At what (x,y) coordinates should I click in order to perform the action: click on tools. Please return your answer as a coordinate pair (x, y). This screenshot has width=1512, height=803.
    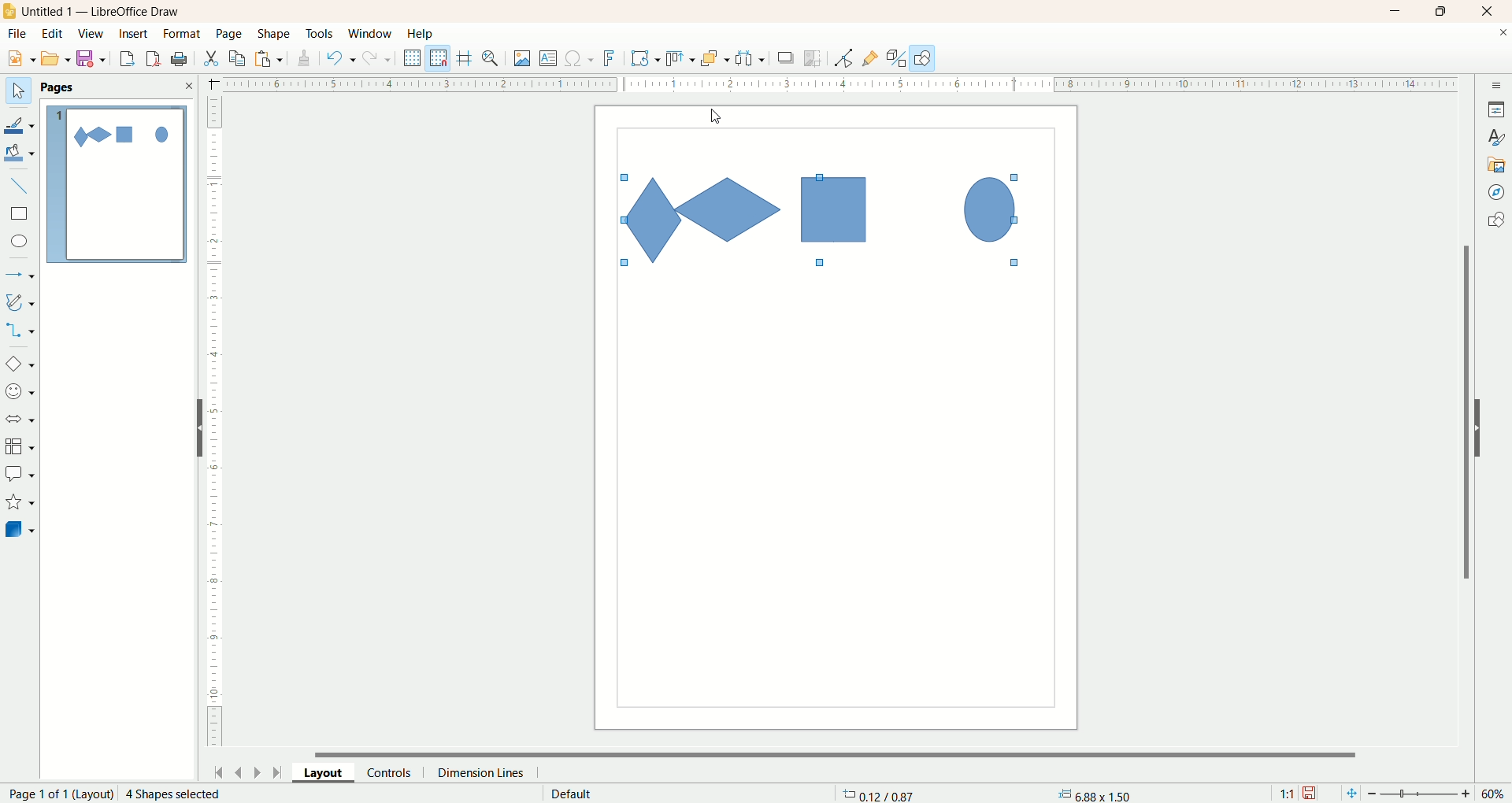
    Looking at the image, I should click on (321, 35).